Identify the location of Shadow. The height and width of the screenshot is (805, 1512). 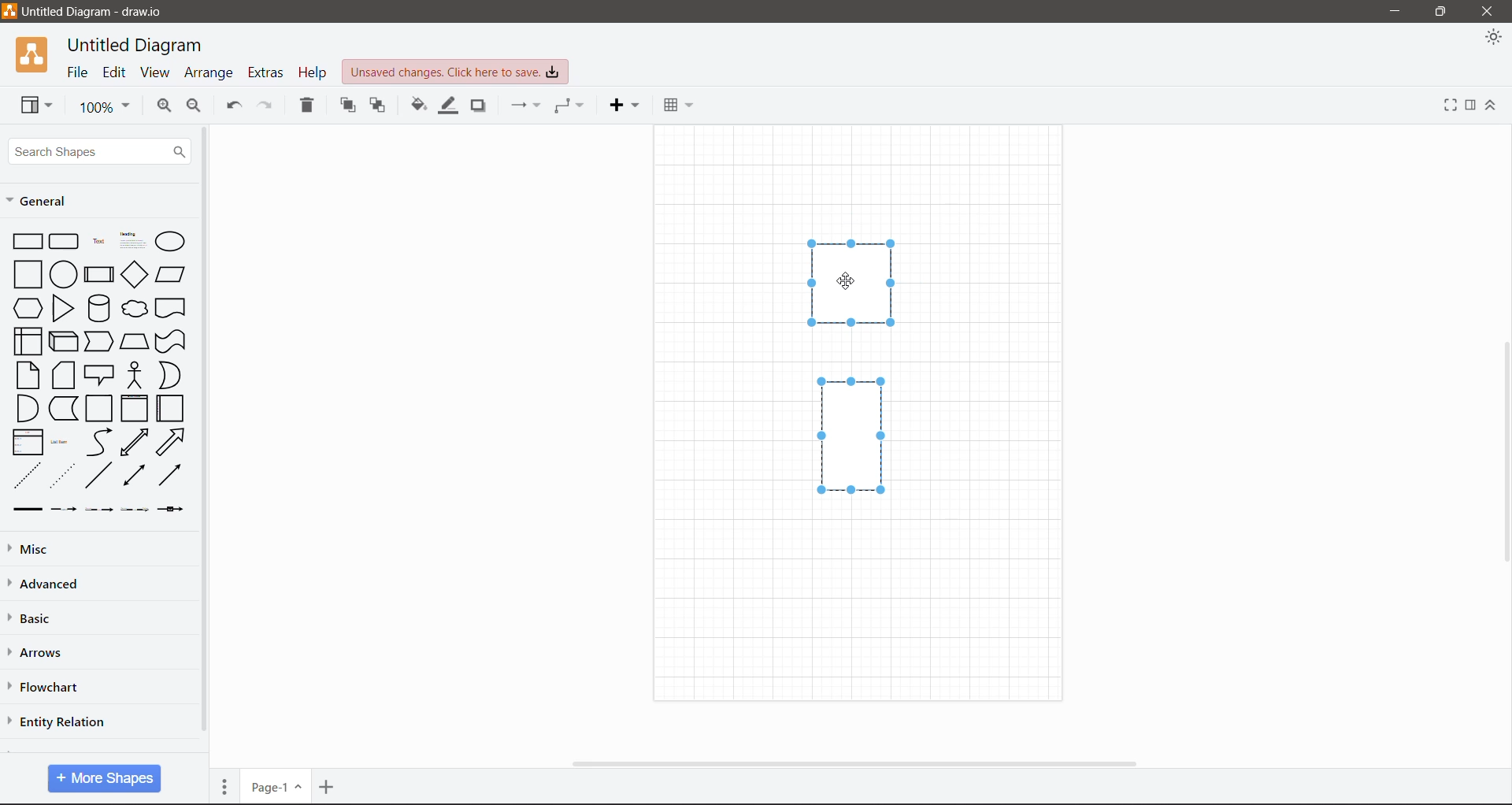
(477, 108).